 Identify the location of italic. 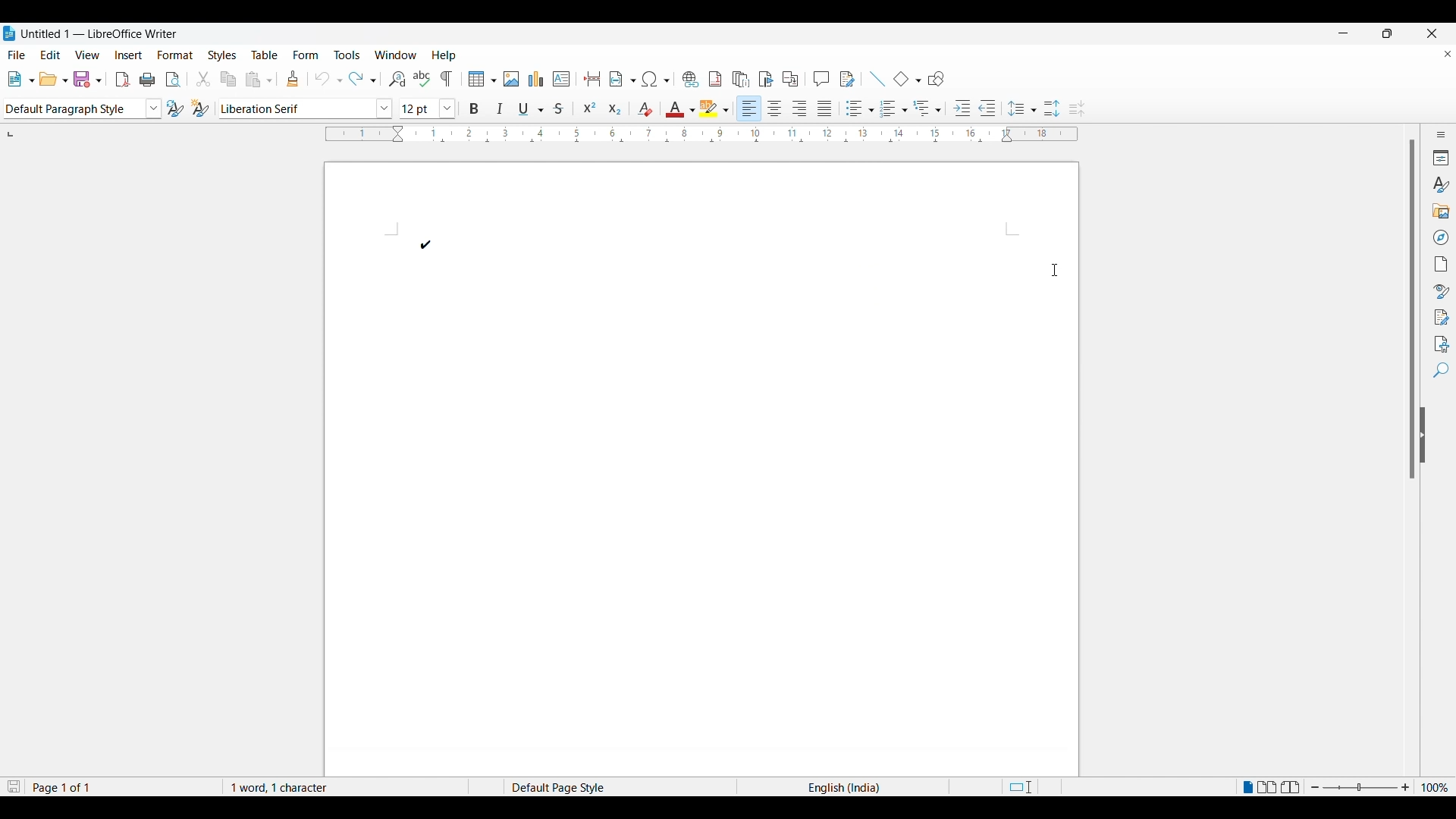
(502, 108).